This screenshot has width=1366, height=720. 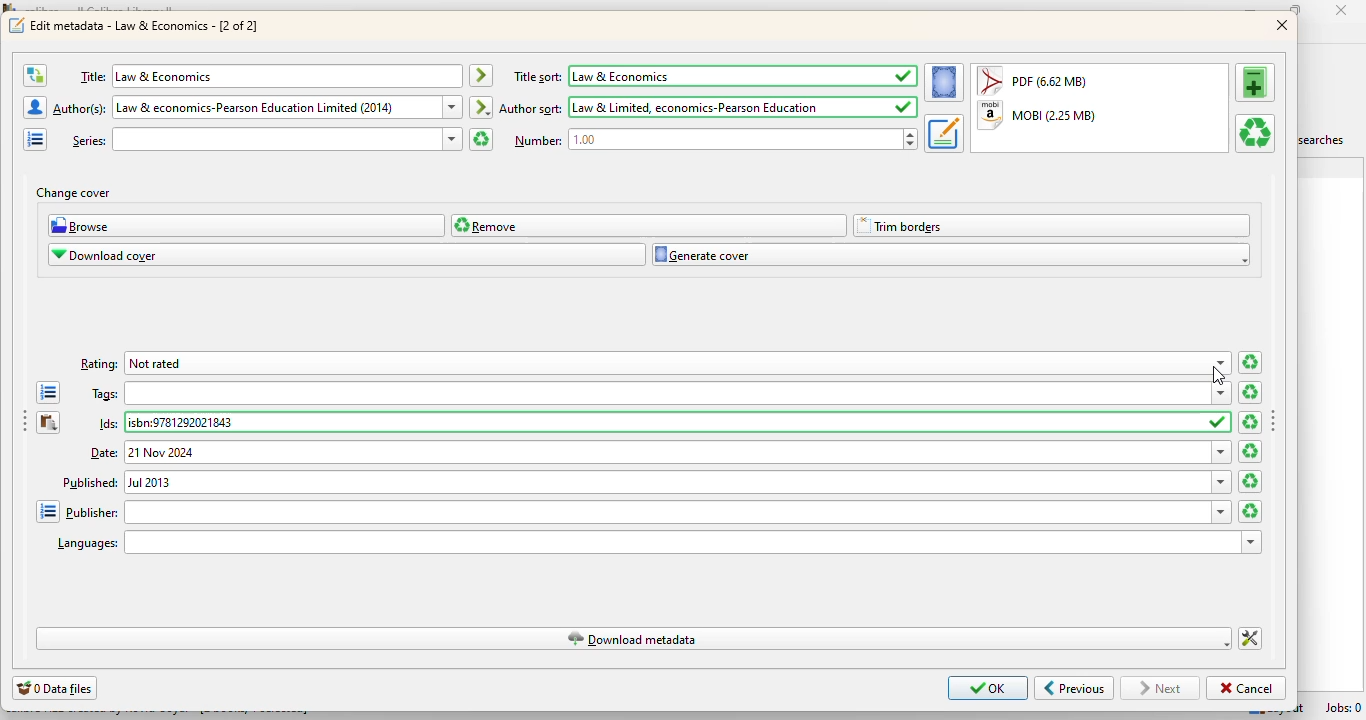 I want to click on close, so click(x=1346, y=11).